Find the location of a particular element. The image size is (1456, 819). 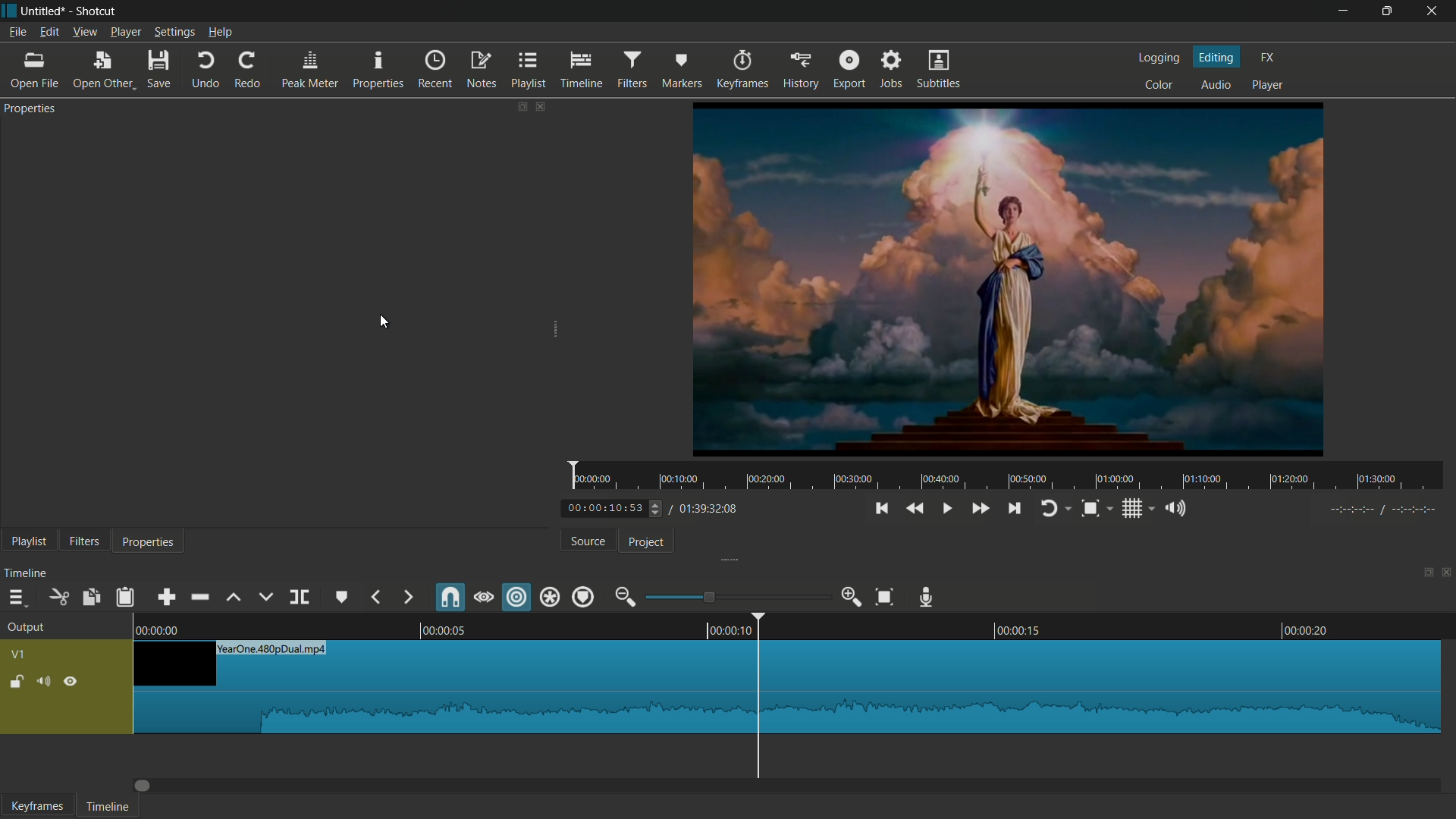

show volume control is located at coordinates (1175, 508).